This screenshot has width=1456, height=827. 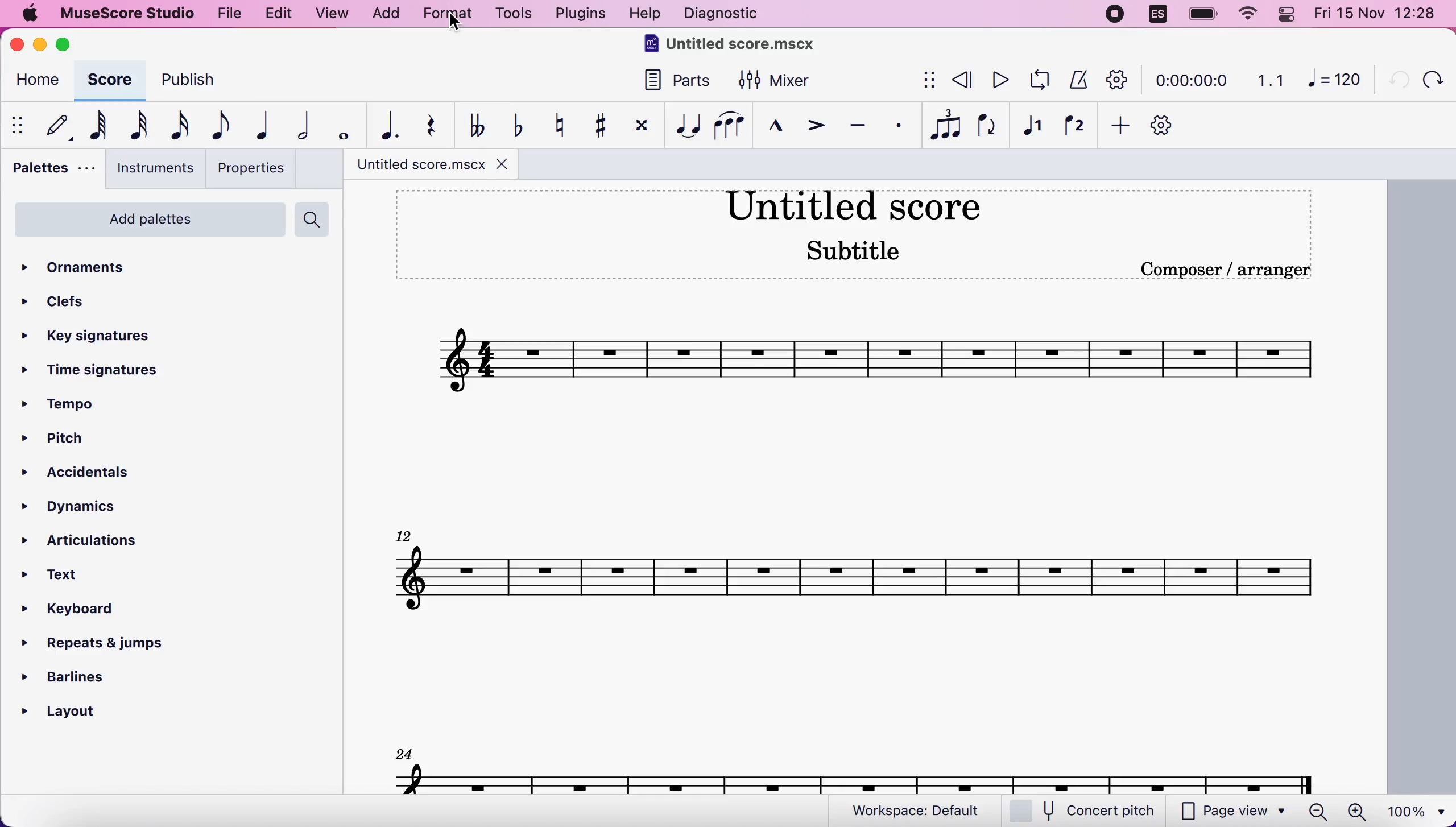 I want to click on marcatto, so click(x=772, y=129).